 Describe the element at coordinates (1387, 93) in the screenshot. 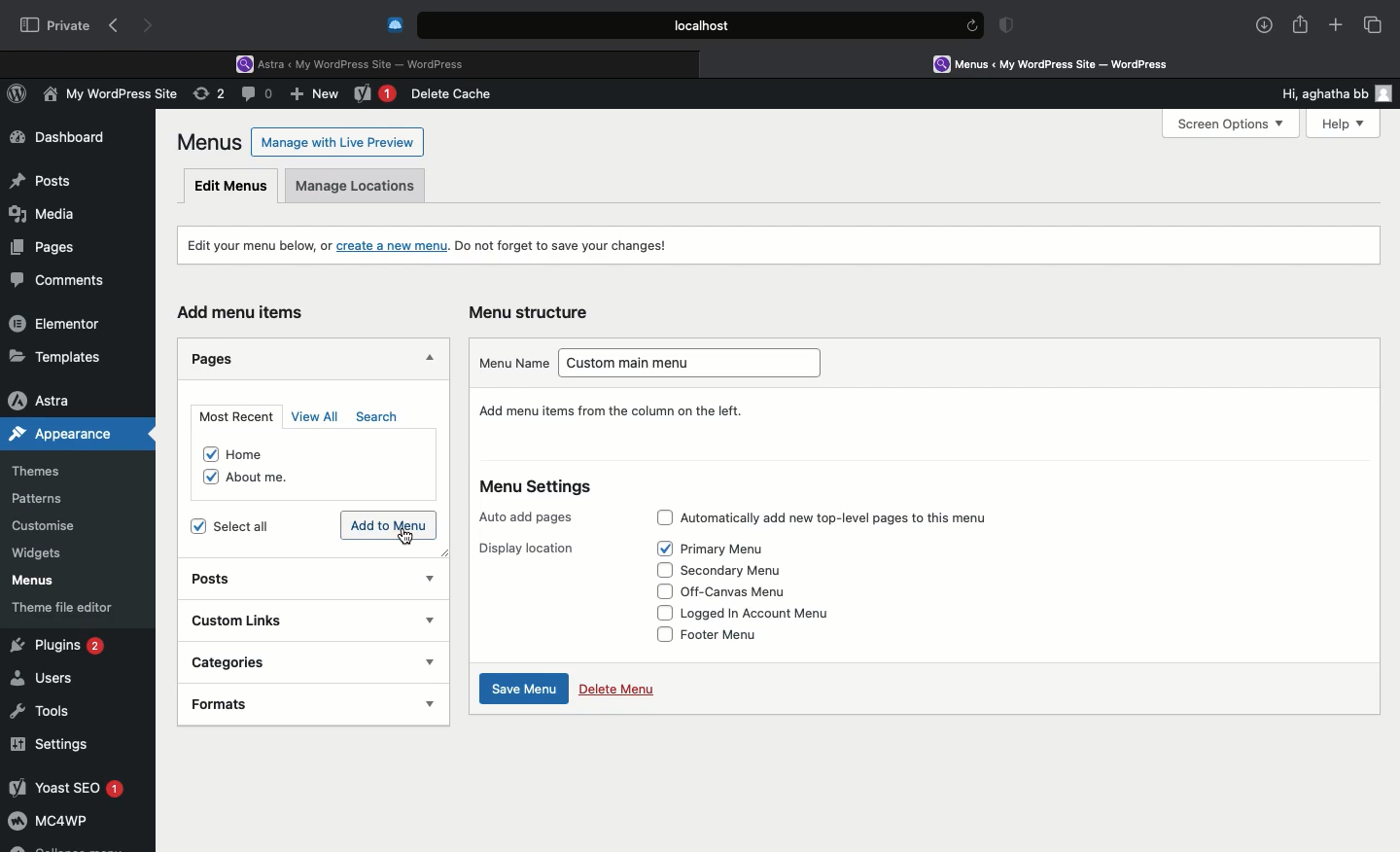

I see `user icon` at that location.